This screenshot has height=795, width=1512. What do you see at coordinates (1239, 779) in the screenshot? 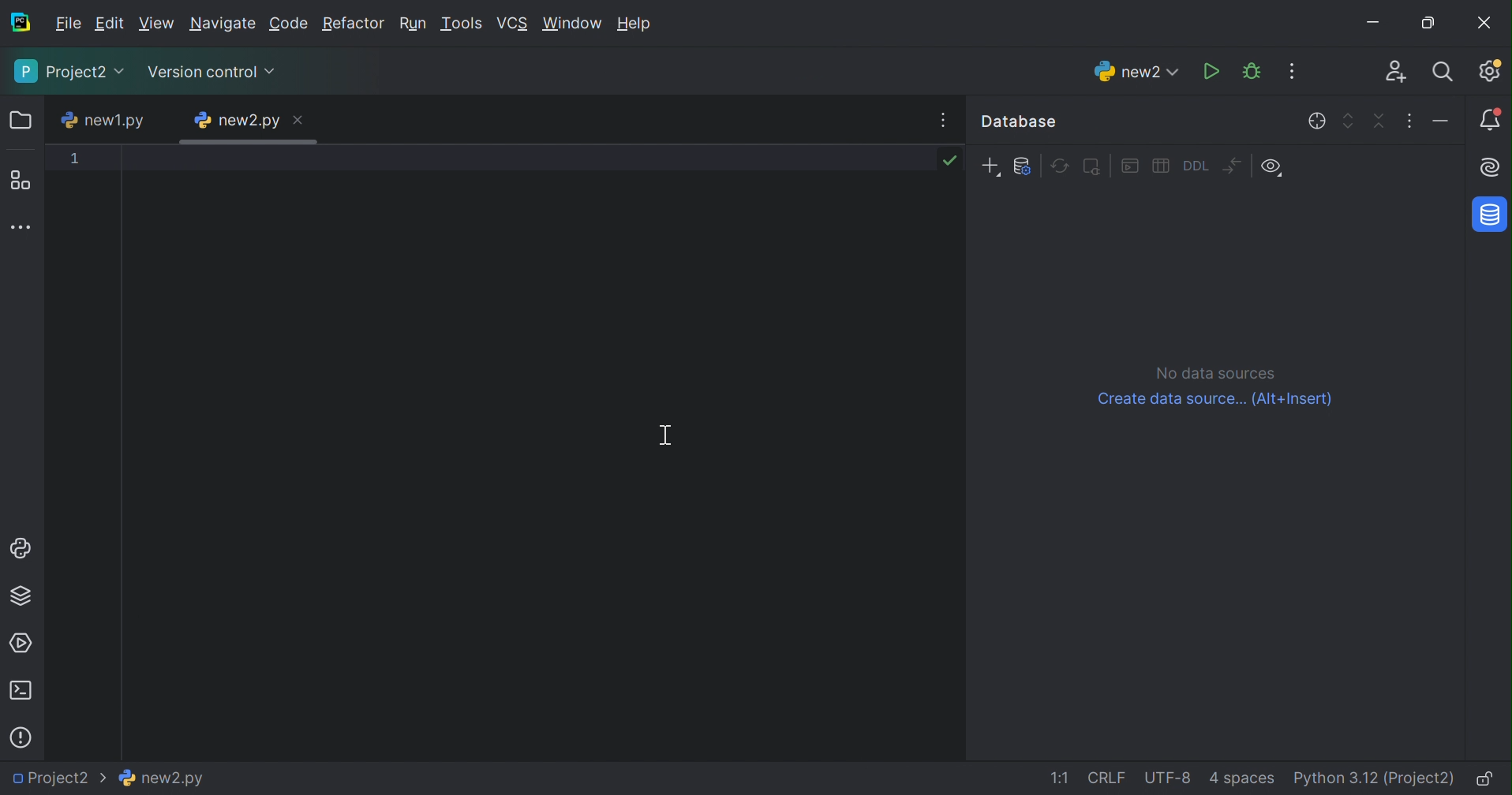
I see `4 spaces` at bounding box center [1239, 779].